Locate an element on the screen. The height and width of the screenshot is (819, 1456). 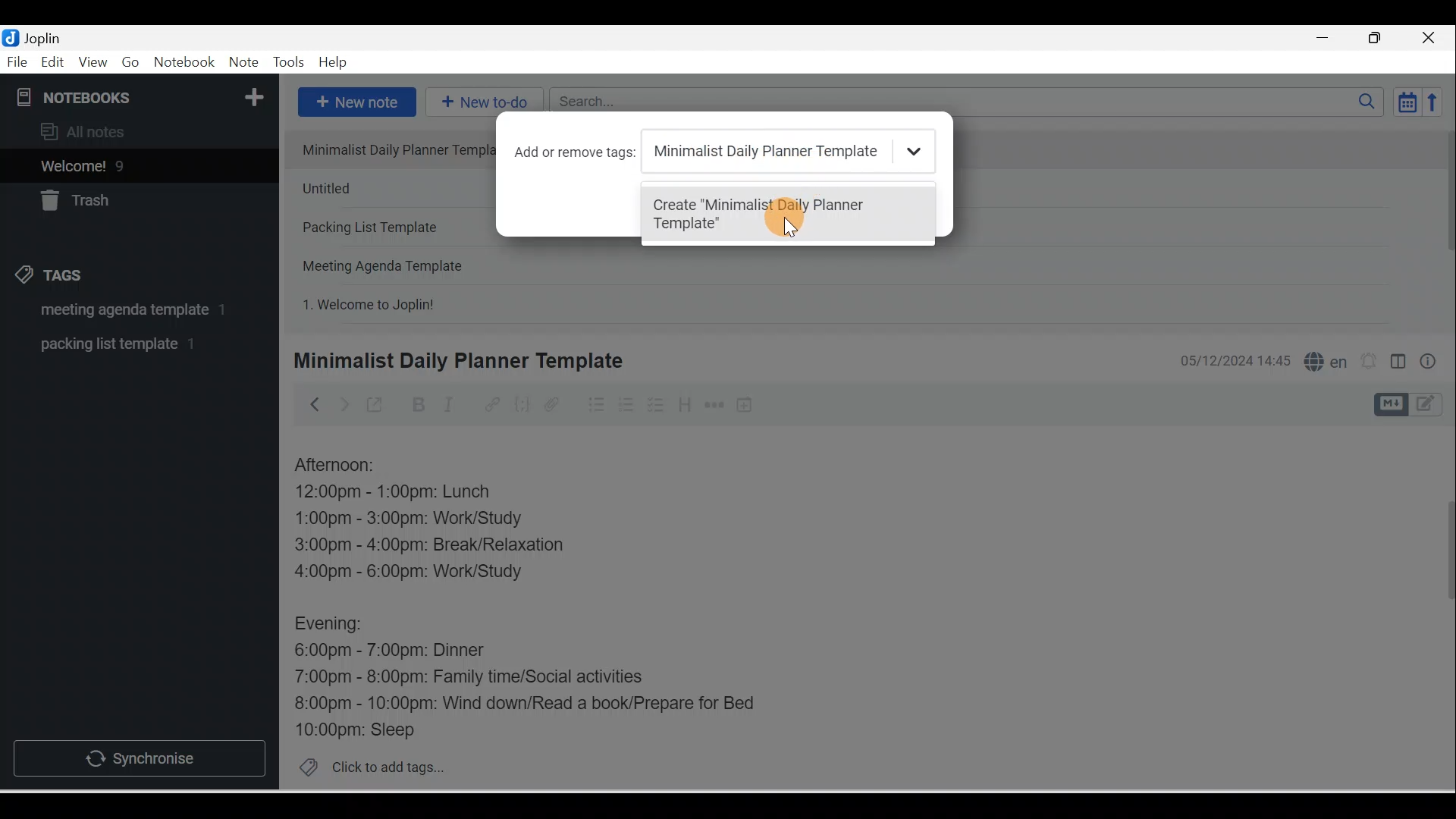
Note 2 is located at coordinates (390, 188).